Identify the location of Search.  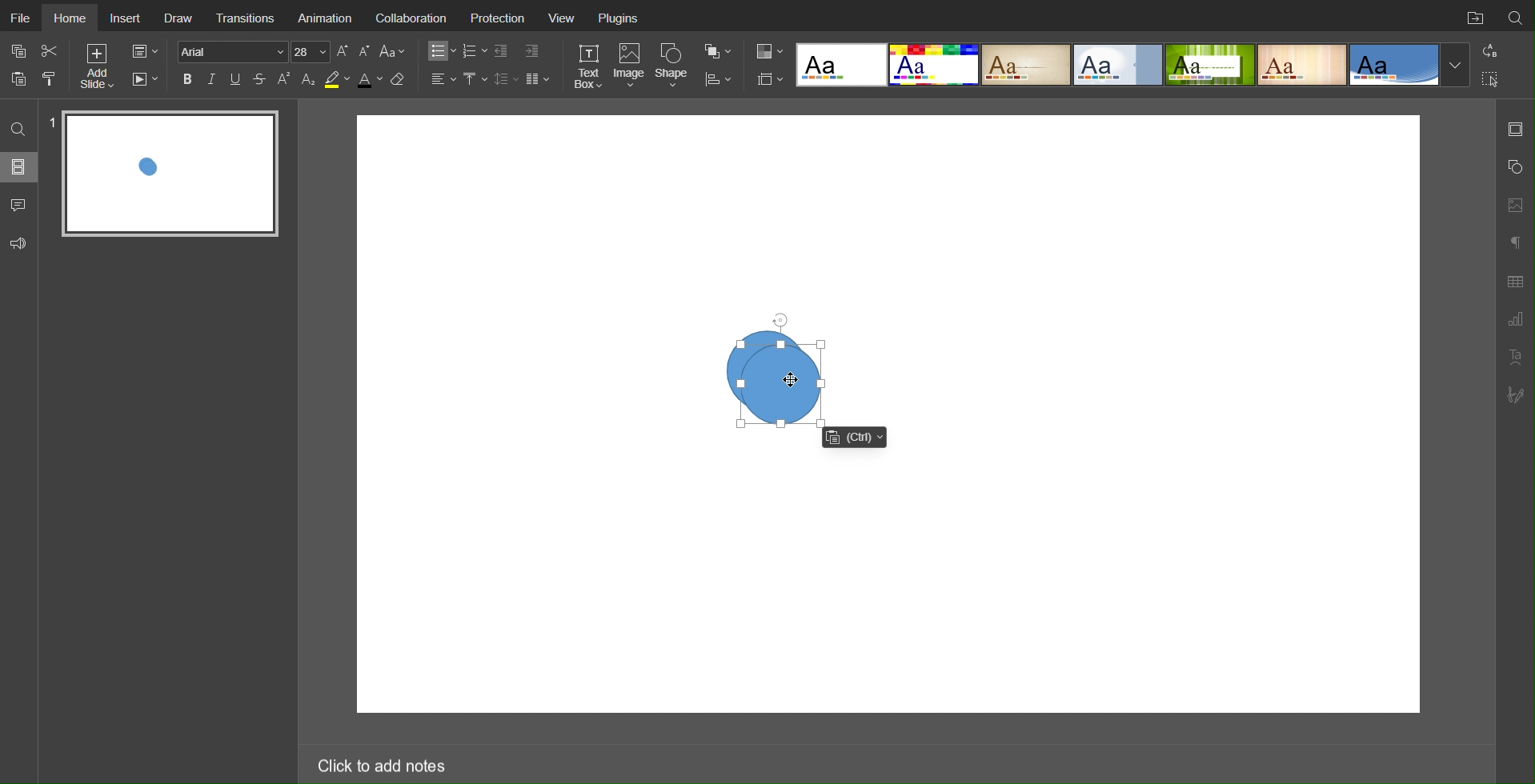
(20, 128).